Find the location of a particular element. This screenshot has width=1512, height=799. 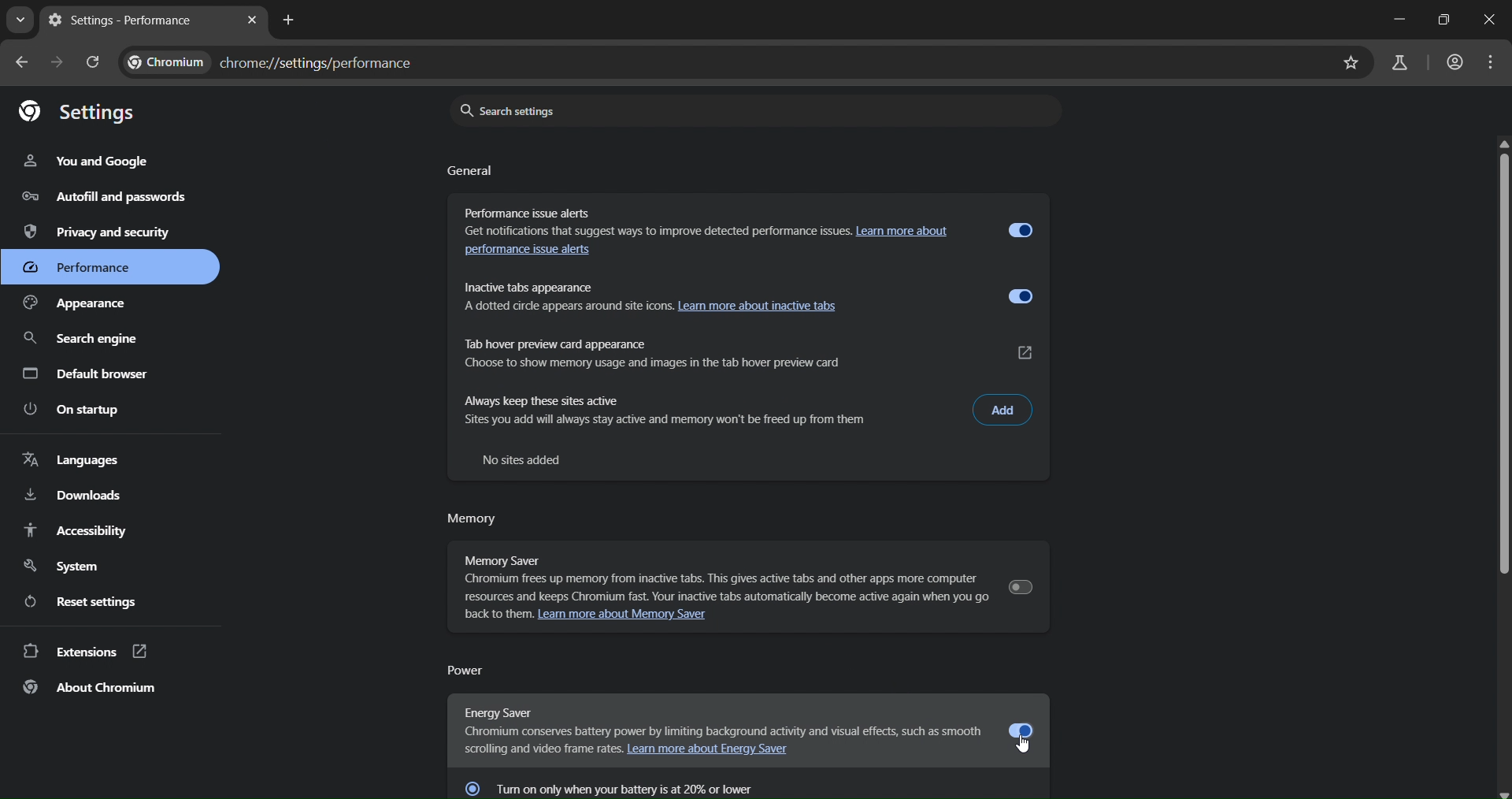

turn on only when your battery is at 20% or lower is located at coordinates (633, 786).